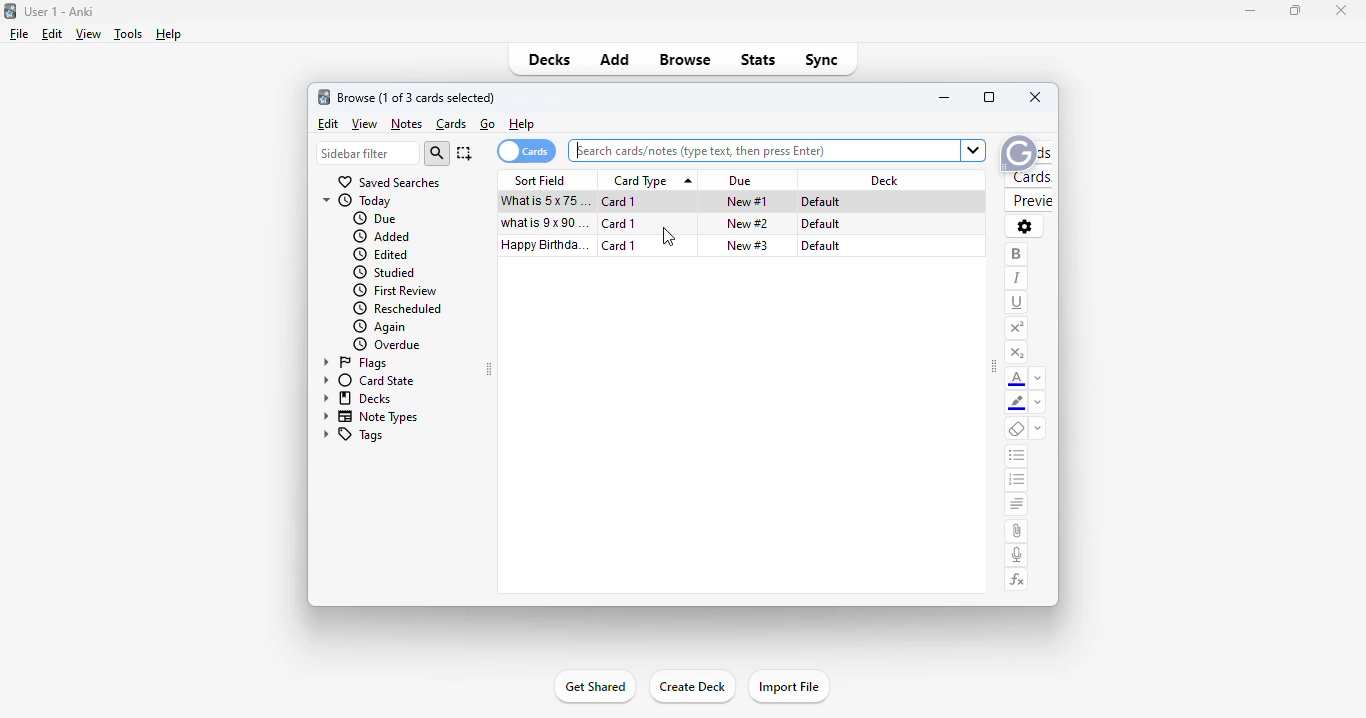 The height and width of the screenshot is (718, 1366). I want to click on maximize, so click(1295, 11).